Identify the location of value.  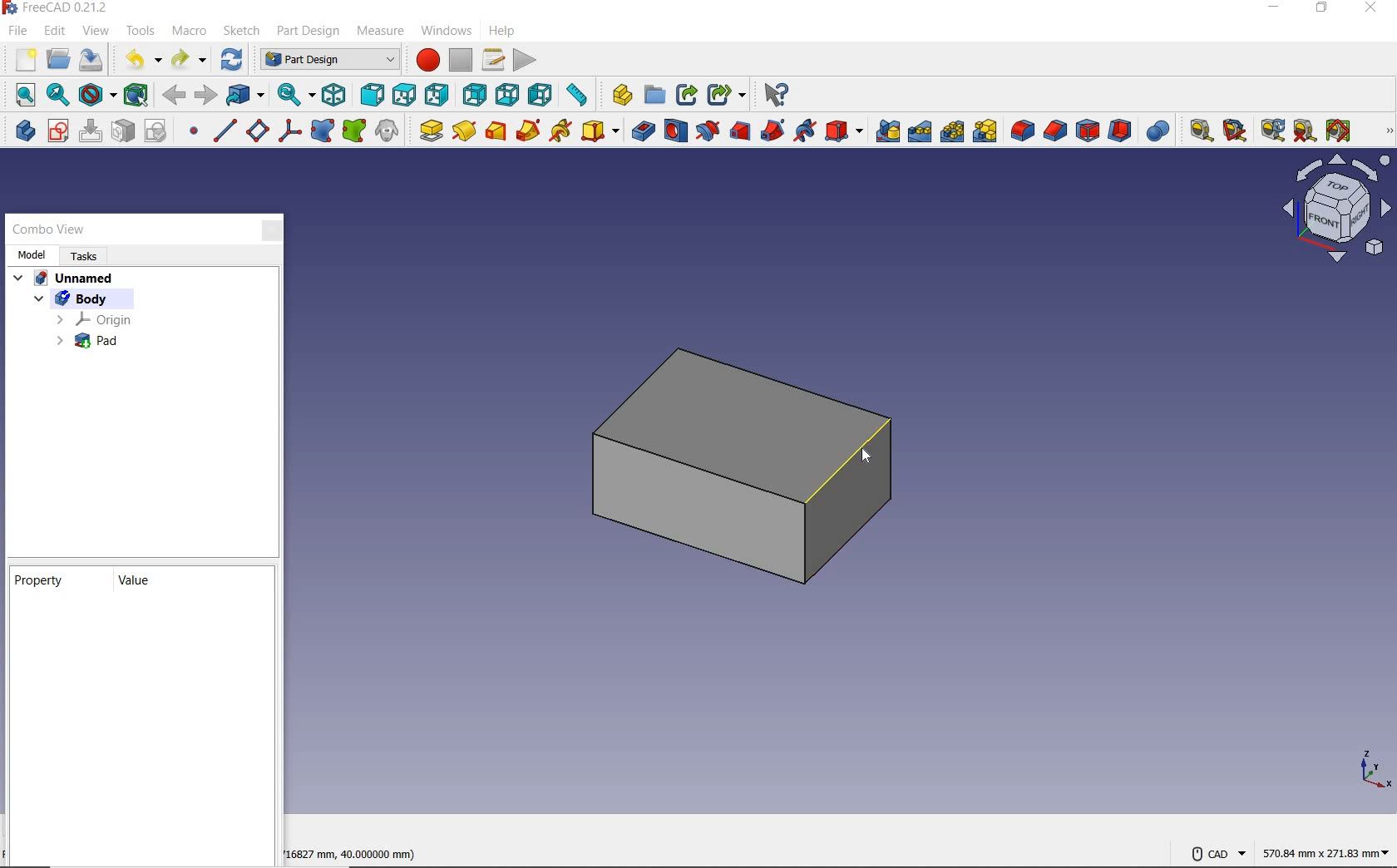
(136, 584).